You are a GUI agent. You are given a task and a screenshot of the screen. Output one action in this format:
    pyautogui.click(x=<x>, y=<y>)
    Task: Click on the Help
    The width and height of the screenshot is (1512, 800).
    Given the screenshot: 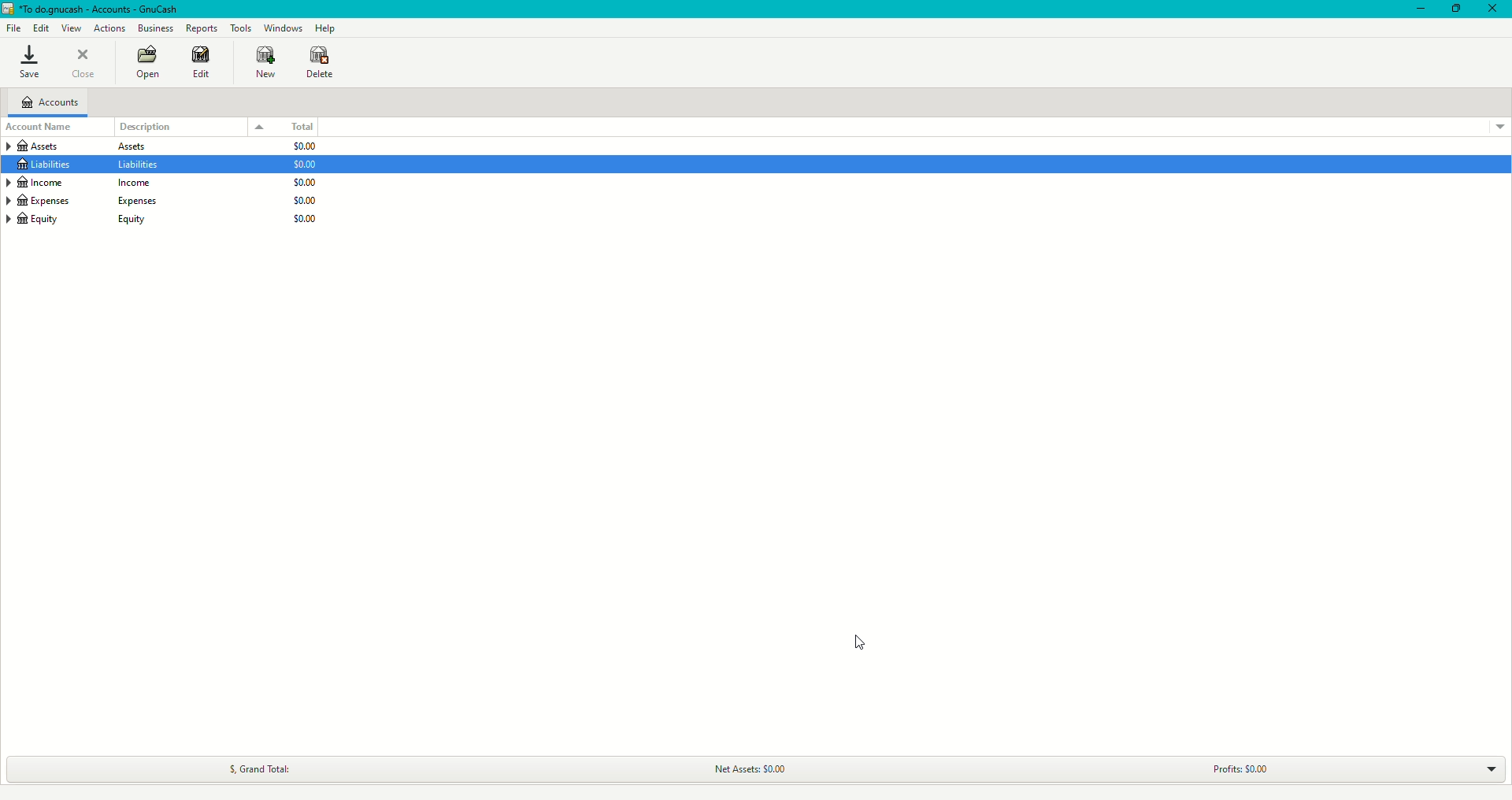 What is the action you would take?
    pyautogui.click(x=326, y=29)
    